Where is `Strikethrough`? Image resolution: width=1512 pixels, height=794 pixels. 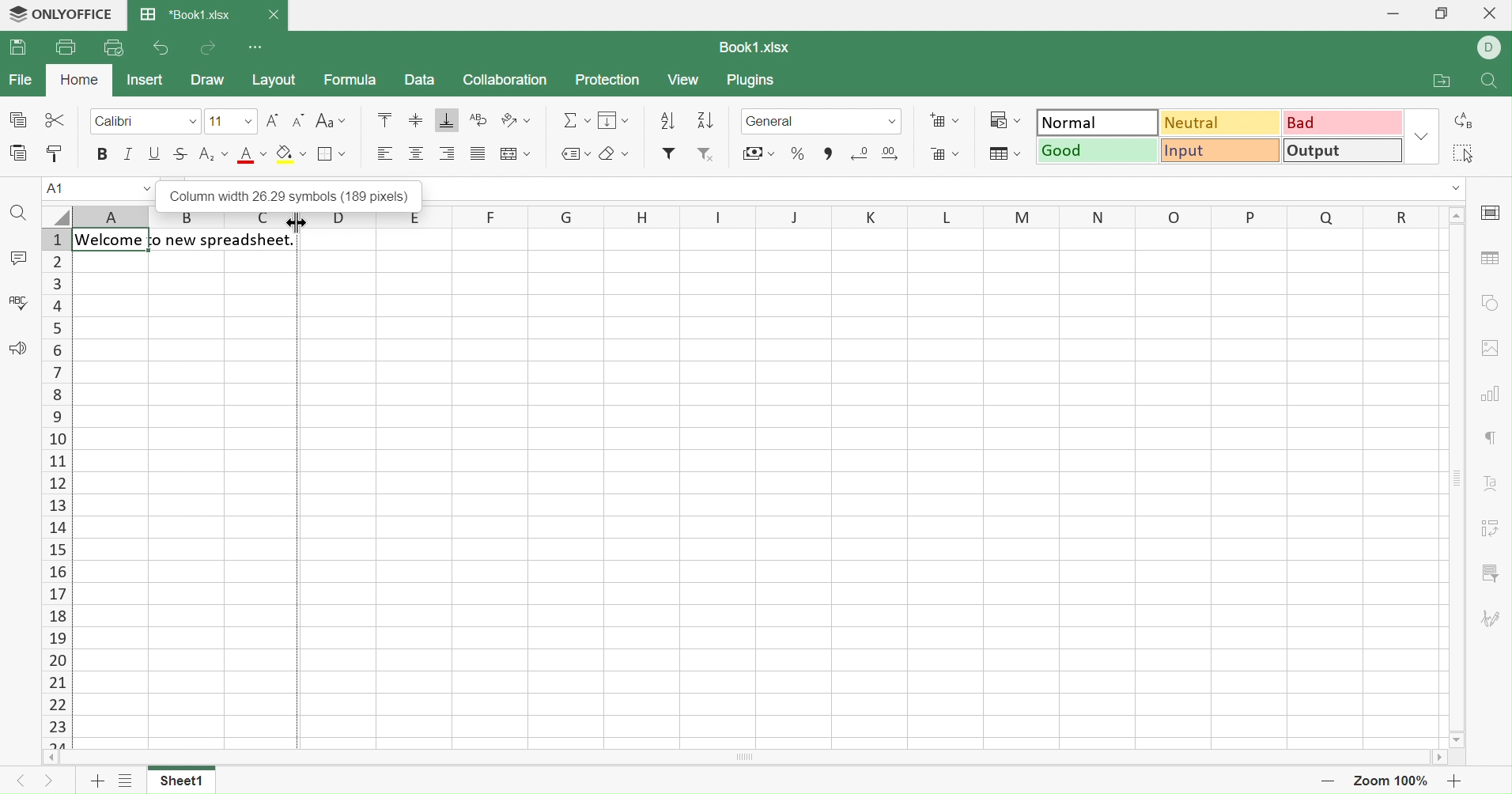 Strikethrough is located at coordinates (182, 154).